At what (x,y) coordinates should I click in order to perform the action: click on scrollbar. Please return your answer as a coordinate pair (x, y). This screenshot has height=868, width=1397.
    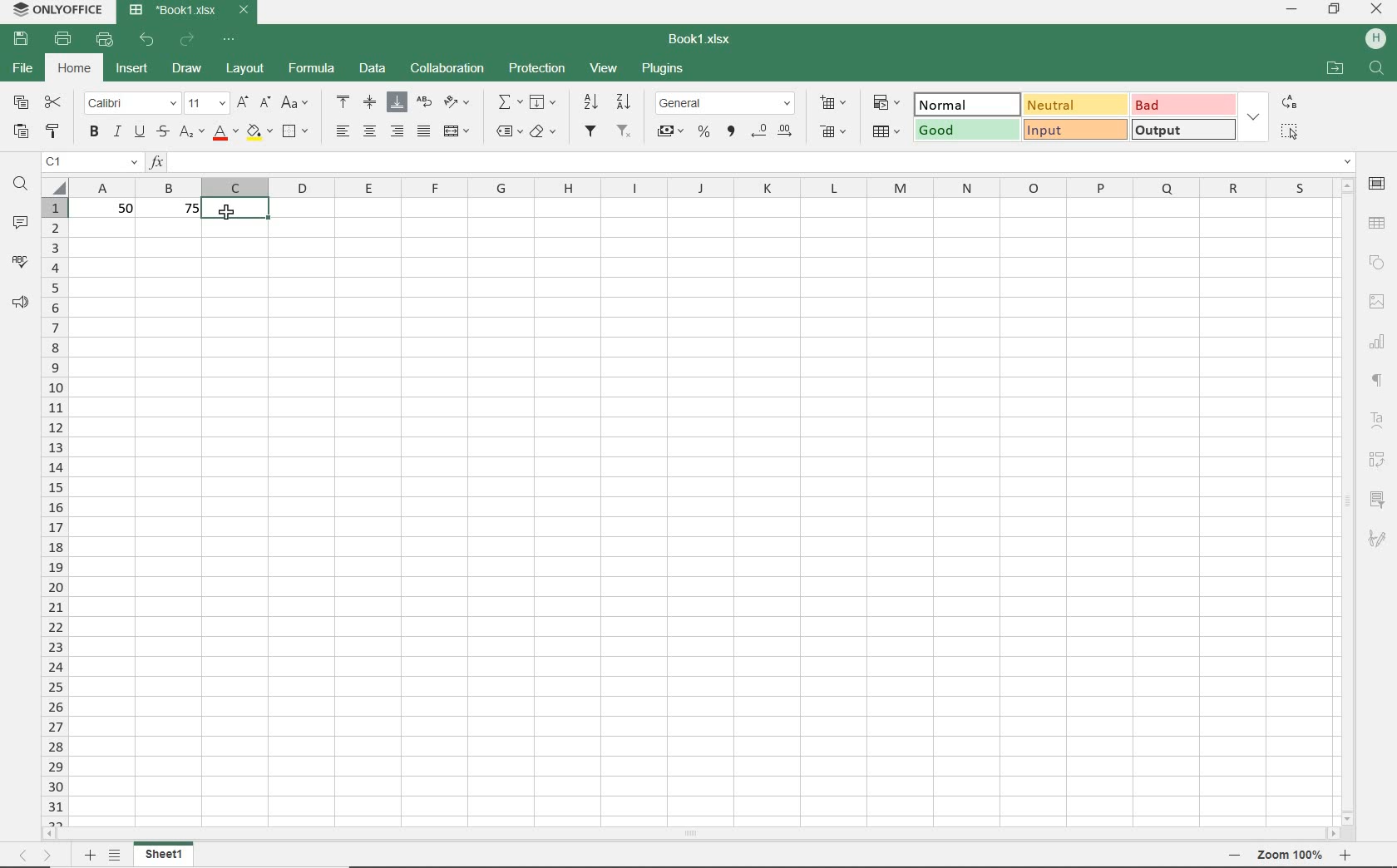
    Looking at the image, I should click on (694, 835).